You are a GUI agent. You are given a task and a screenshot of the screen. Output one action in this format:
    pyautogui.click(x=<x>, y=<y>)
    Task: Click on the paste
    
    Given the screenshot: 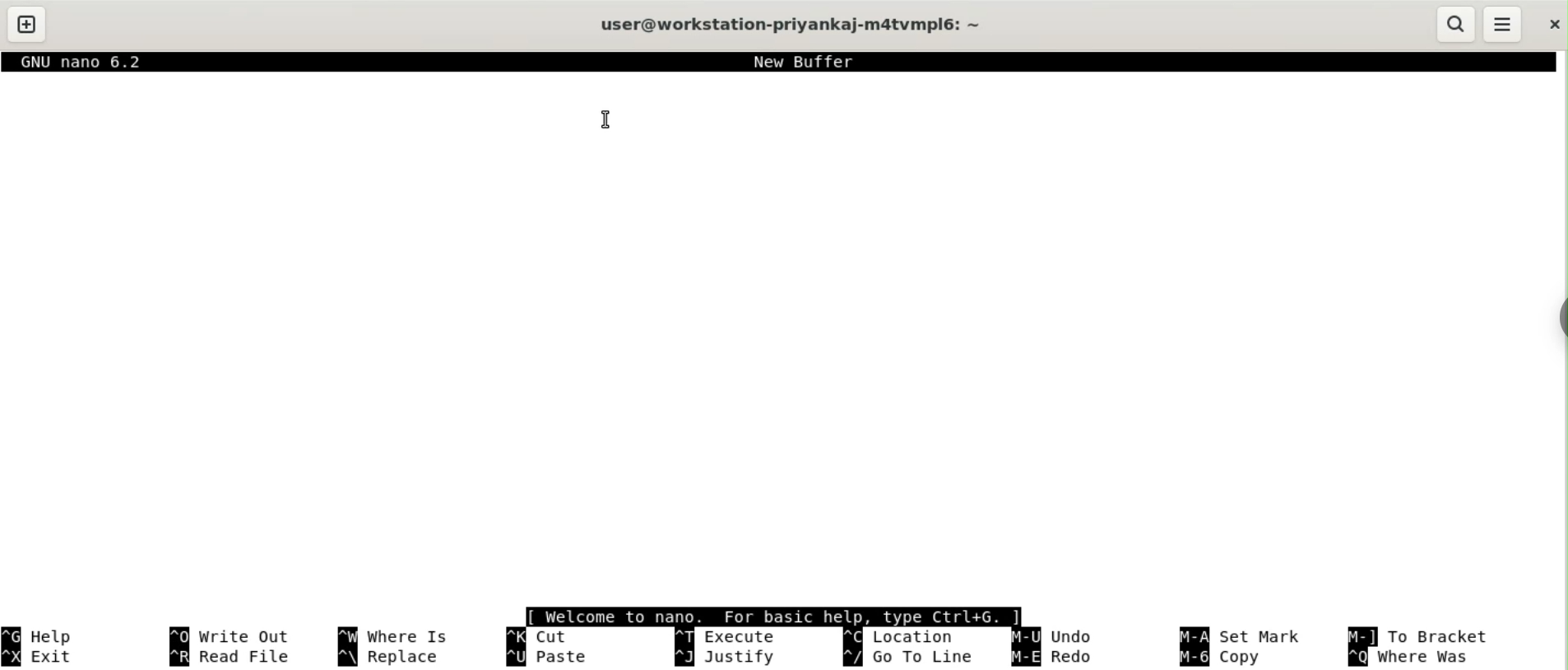 What is the action you would take?
    pyautogui.click(x=554, y=658)
    